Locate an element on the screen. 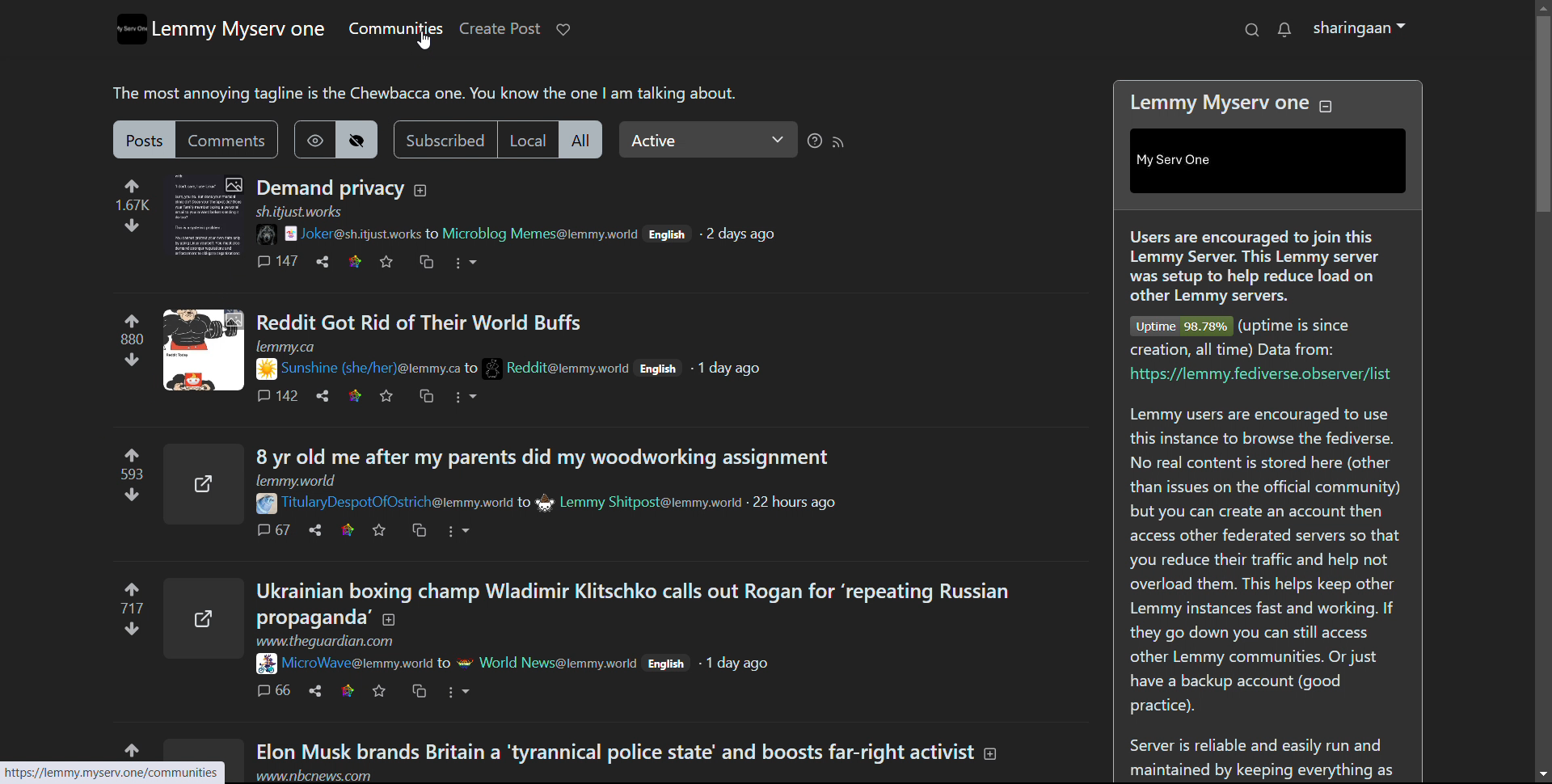 Image resolution: width=1552 pixels, height=784 pixels. subscribed is located at coordinates (445, 139).